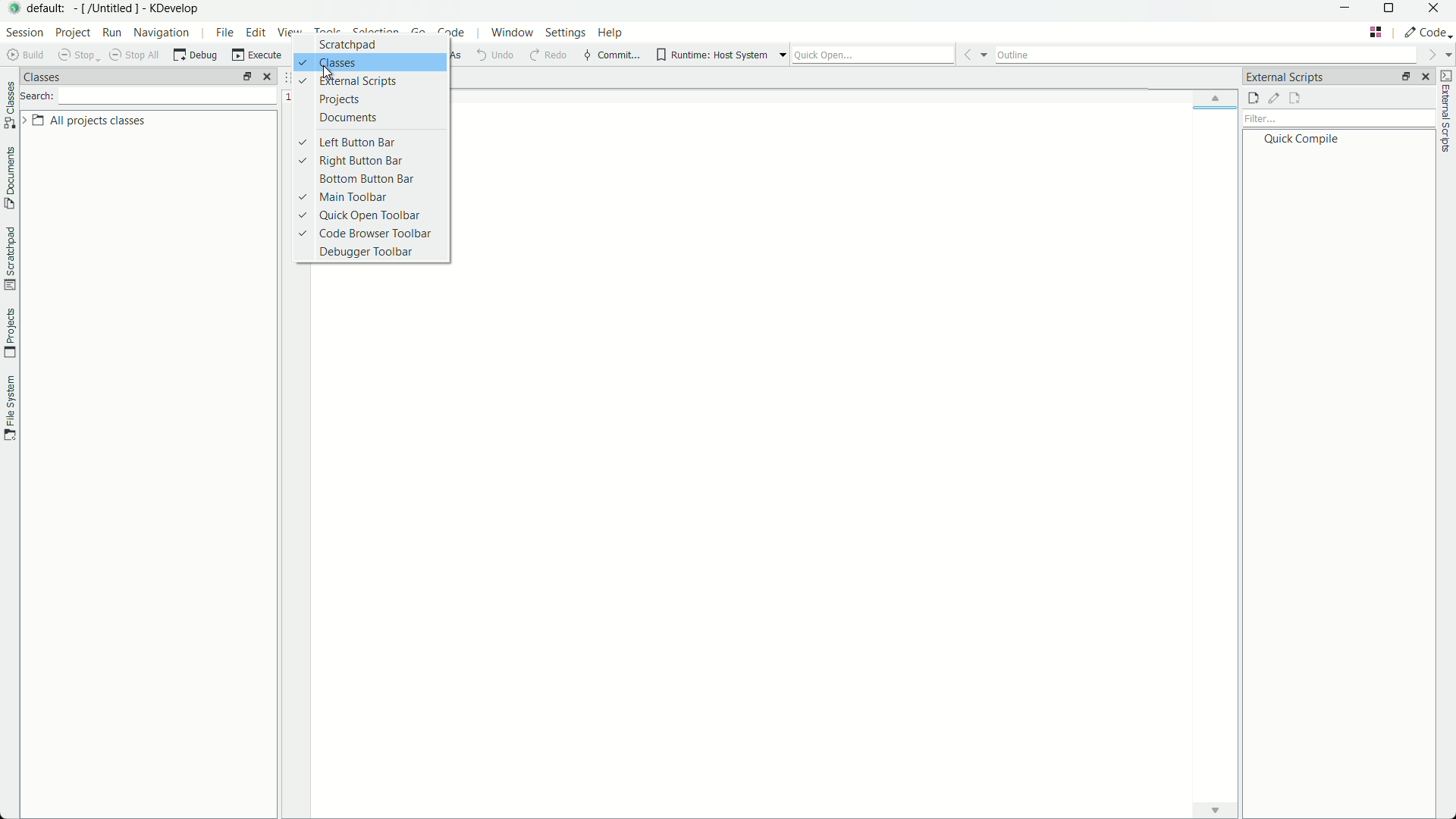 Image resolution: width=1456 pixels, height=819 pixels. I want to click on code menu, so click(449, 32).